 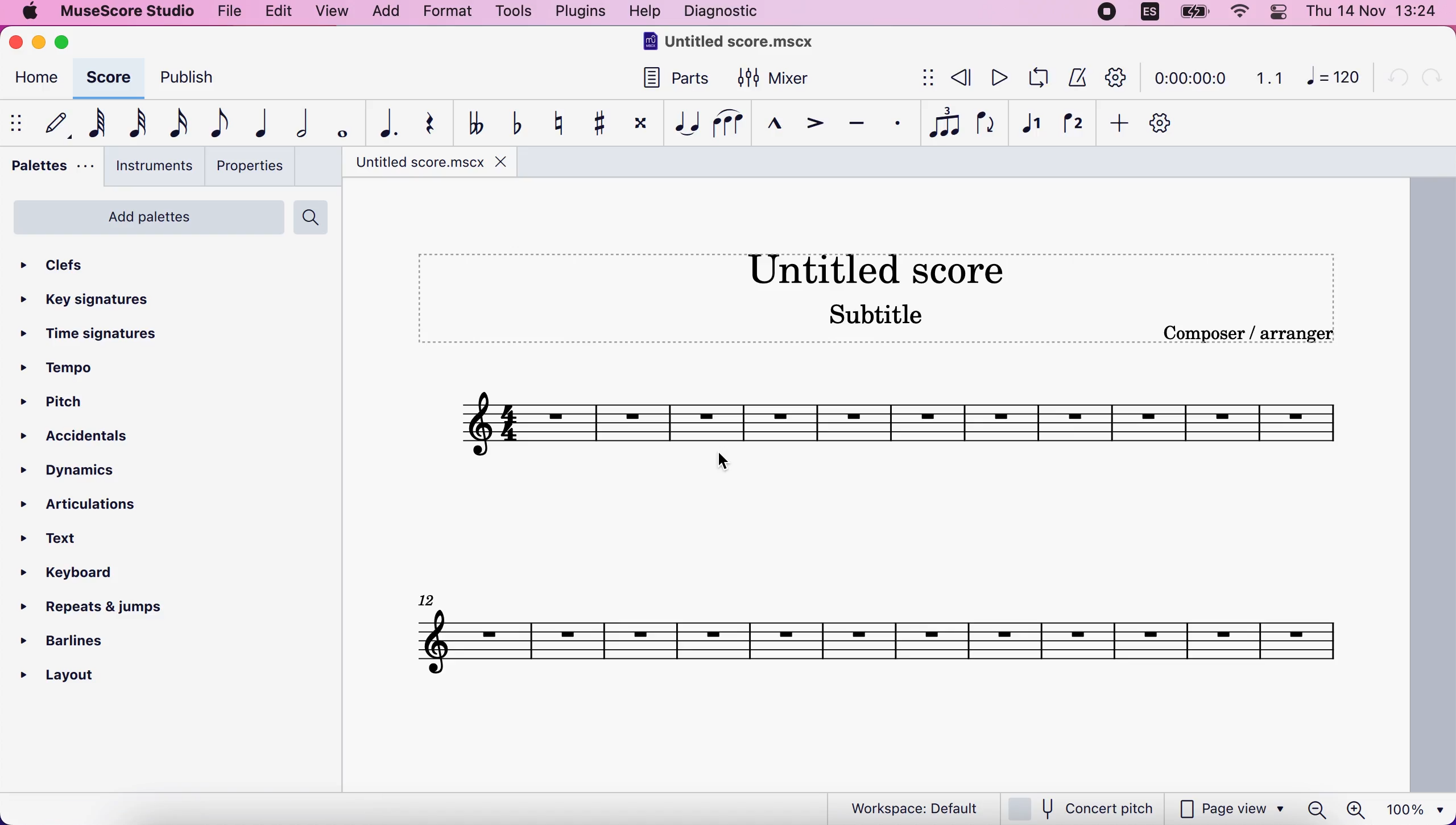 I want to click on pitch, so click(x=119, y=402).